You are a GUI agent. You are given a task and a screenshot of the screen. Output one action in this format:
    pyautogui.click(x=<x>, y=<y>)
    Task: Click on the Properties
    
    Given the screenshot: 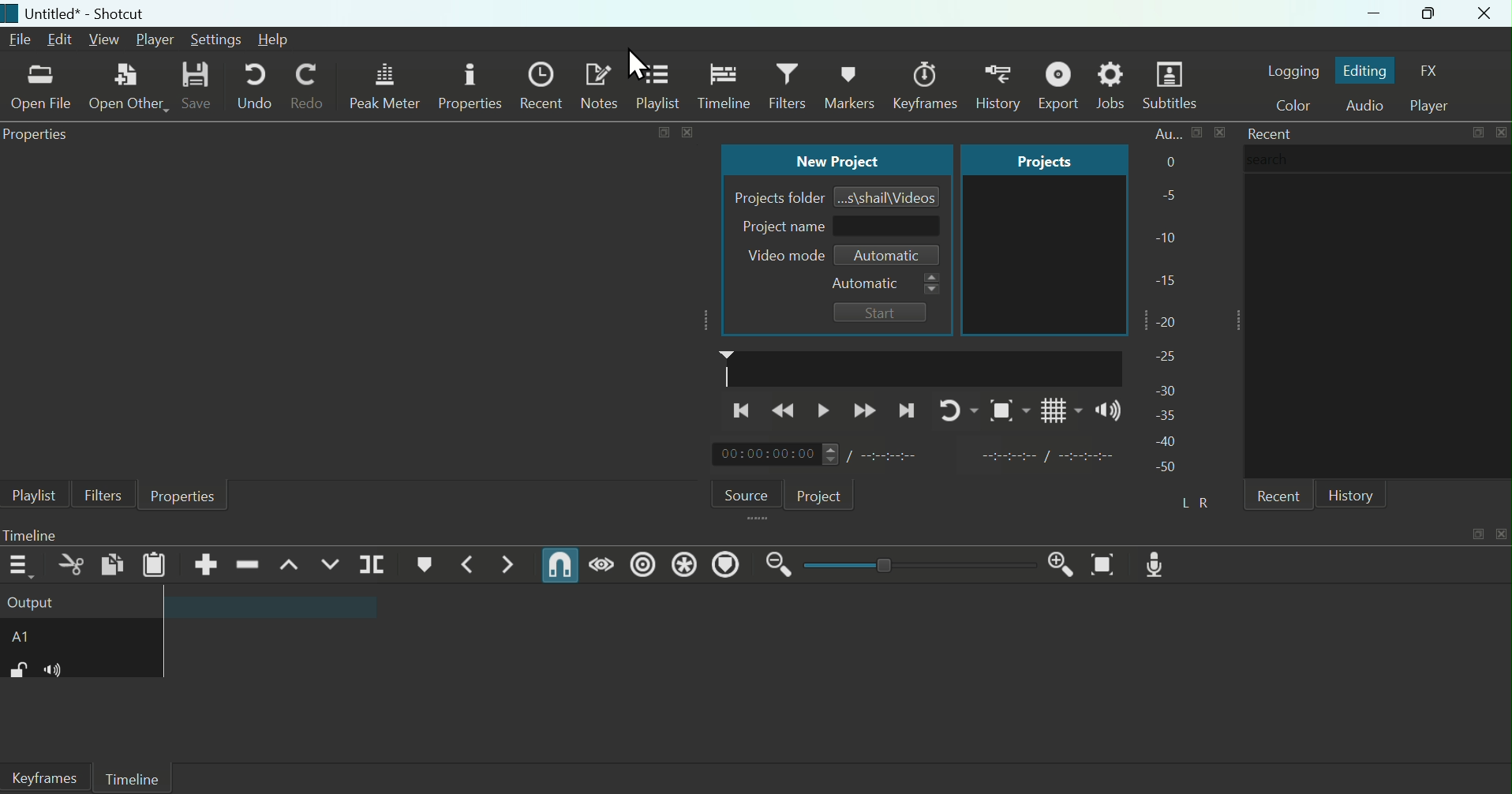 What is the action you would take?
    pyautogui.click(x=184, y=496)
    